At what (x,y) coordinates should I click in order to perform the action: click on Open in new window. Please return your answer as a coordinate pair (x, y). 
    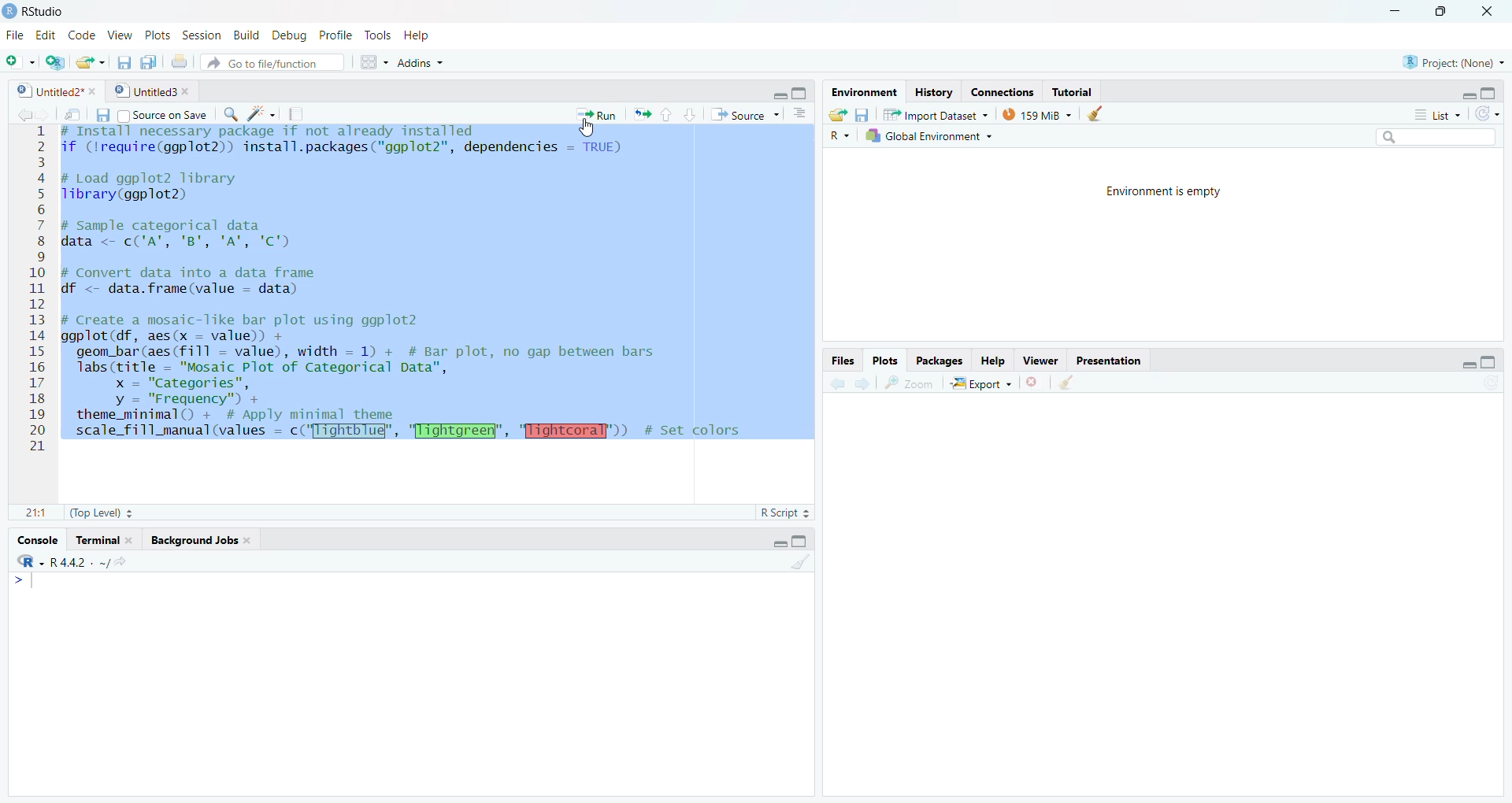
    Looking at the image, I should click on (74, 114).